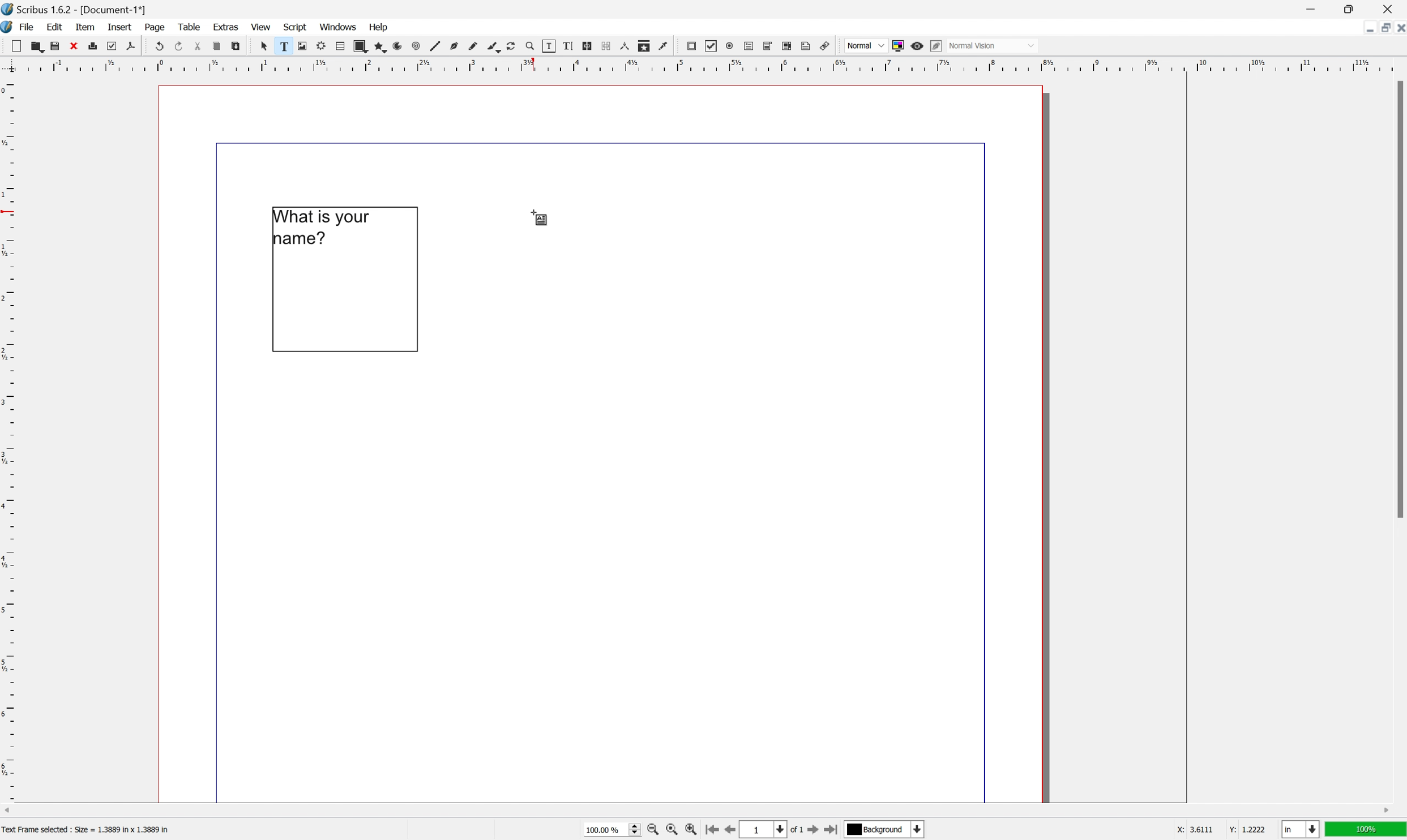  What do you see at coordinates (227, 26) in the screenshot?
I see `extras` at bounding box center [227, 26].